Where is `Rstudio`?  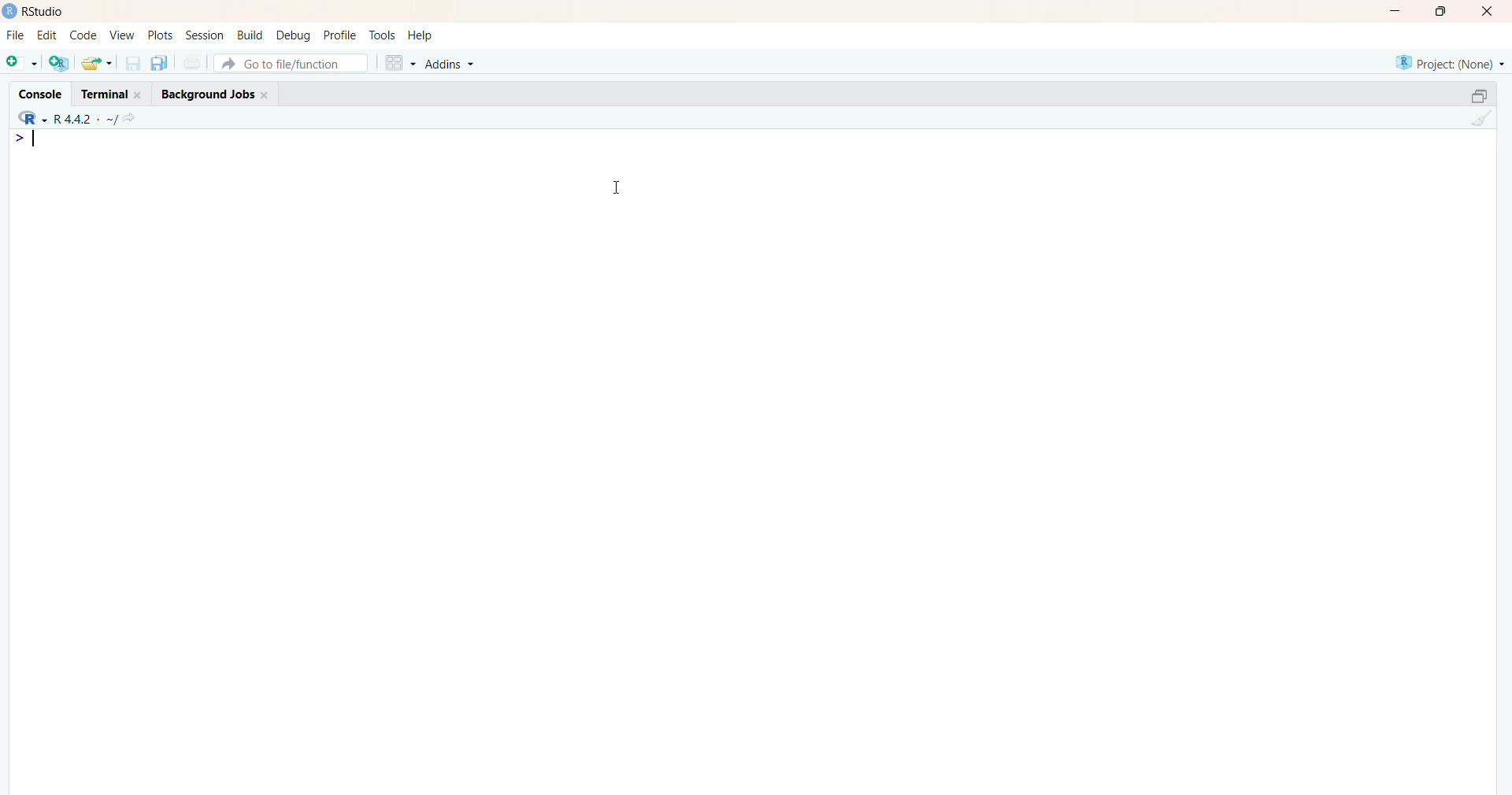 Rstudio is located at coordinates (35, 10).